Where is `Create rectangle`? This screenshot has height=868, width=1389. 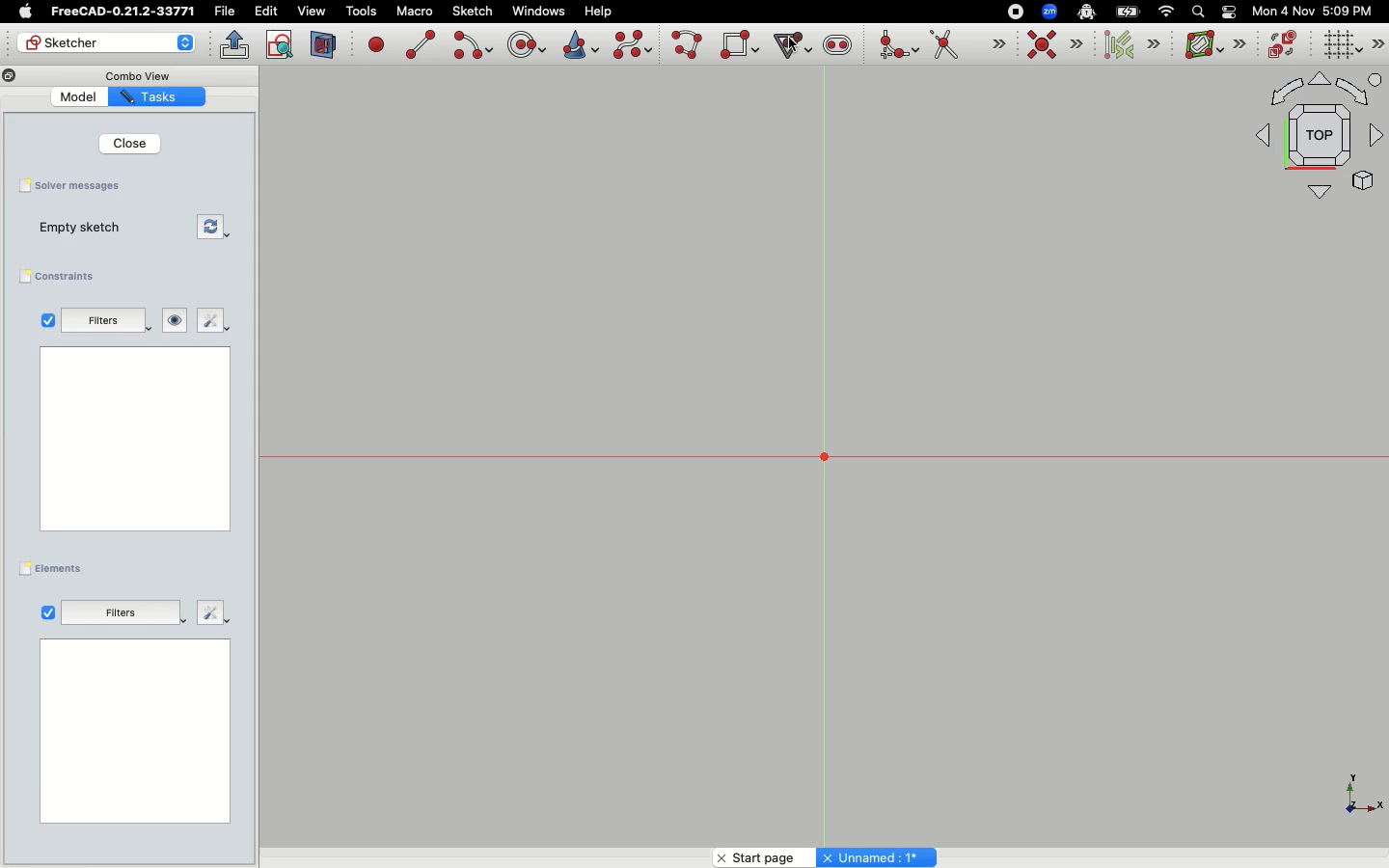 Create rectangle is located at coordinates (740, 44).